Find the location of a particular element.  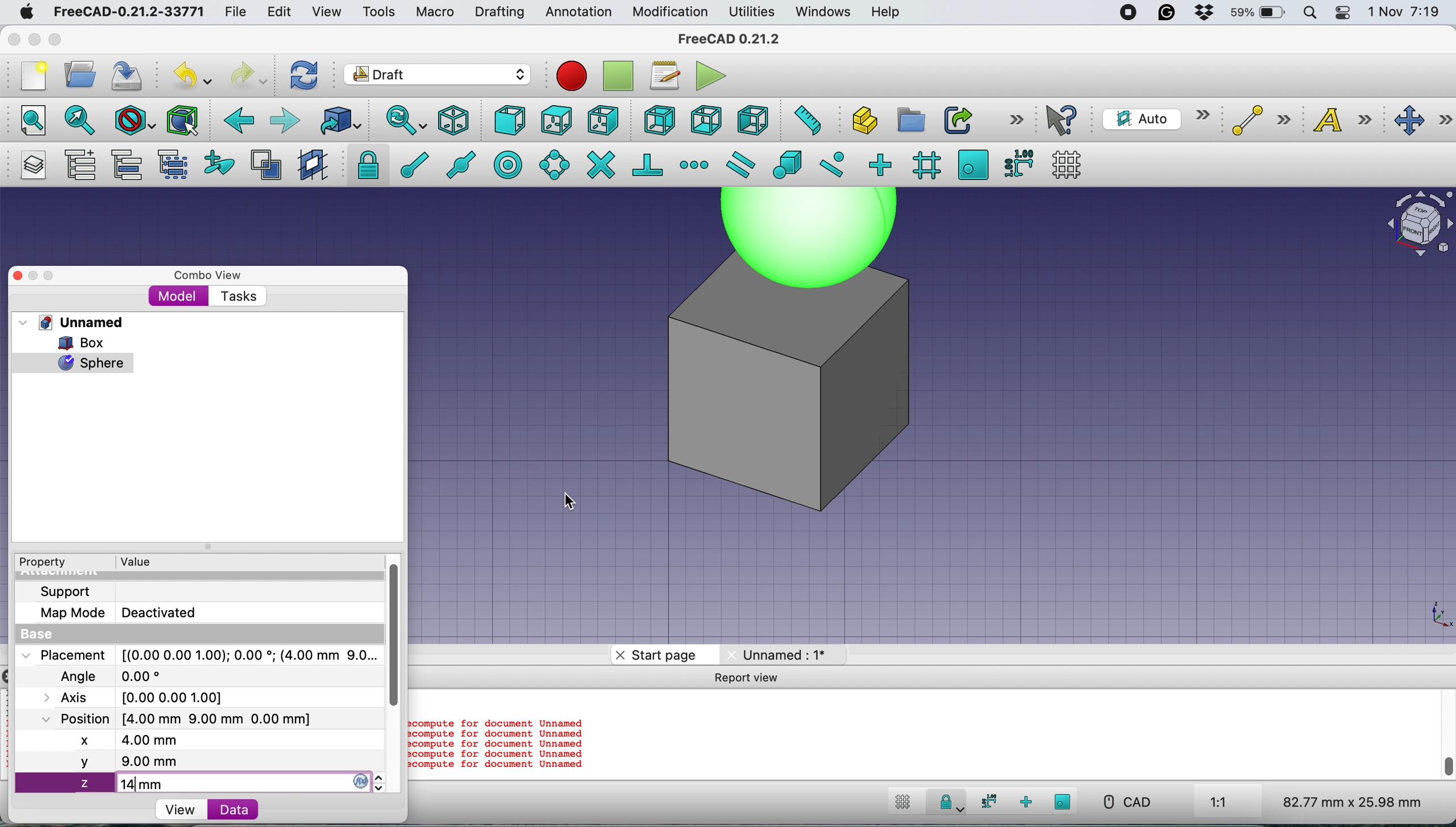

snap angel is located at coordinates (551, 164).